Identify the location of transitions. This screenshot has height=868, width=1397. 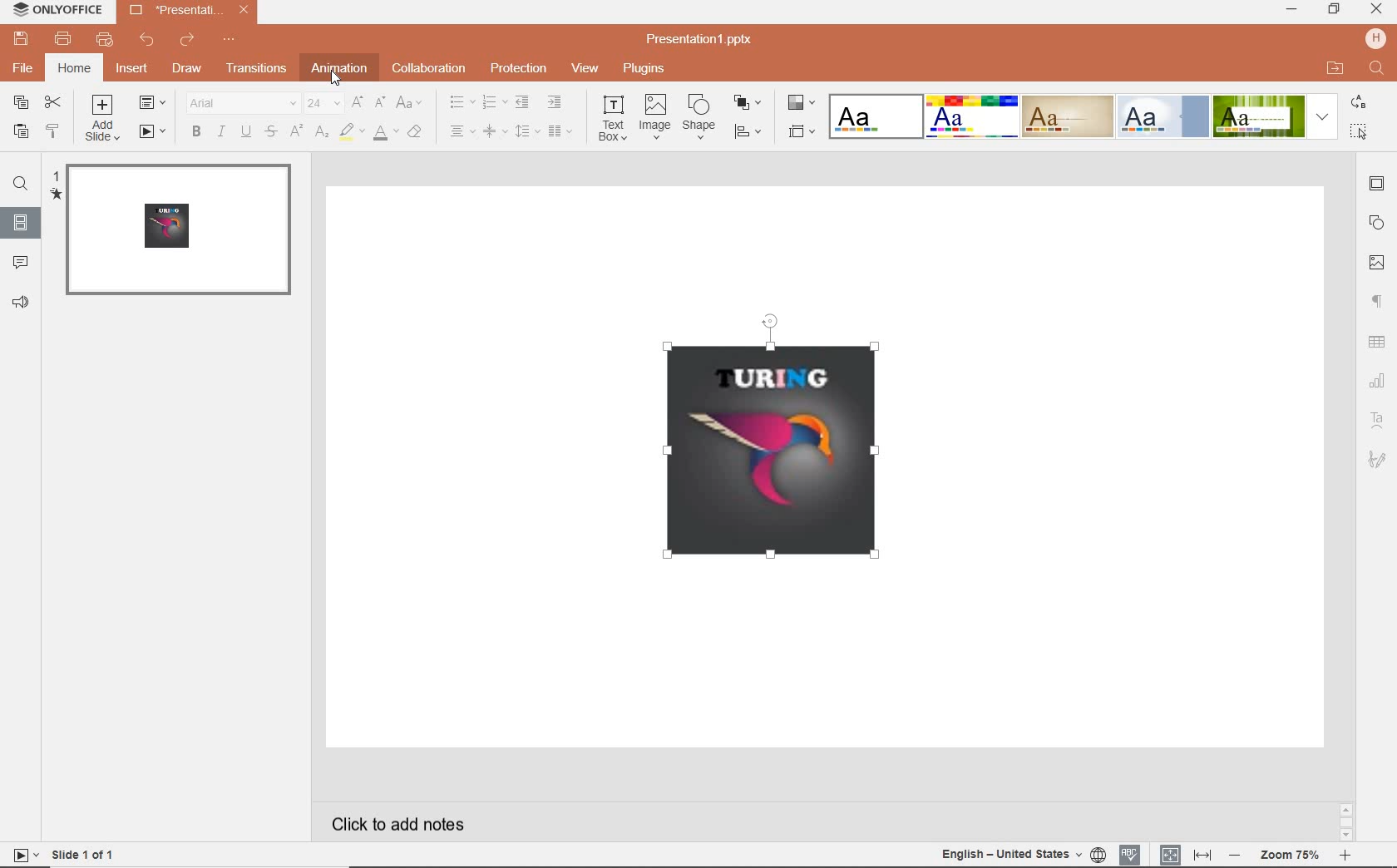
(258, 70).